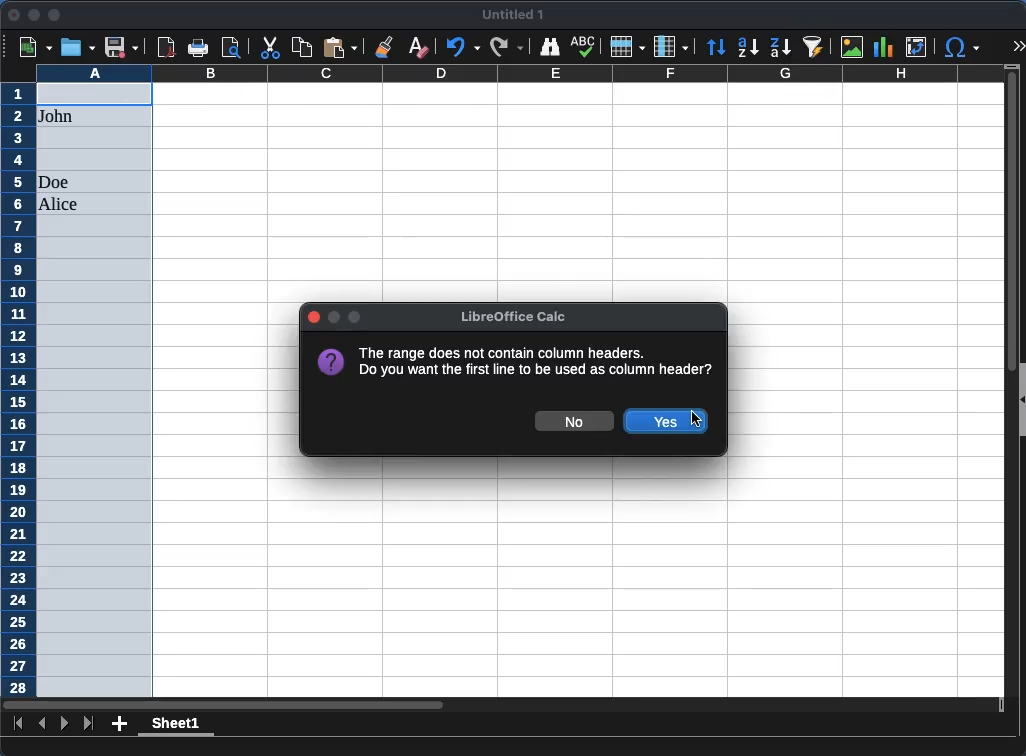 The height and width of the screenshot is (756, 1026). What do you see at coordinates (90, 724) in the screenshot?
I see `last sheet` at bounding box center [90, 724].